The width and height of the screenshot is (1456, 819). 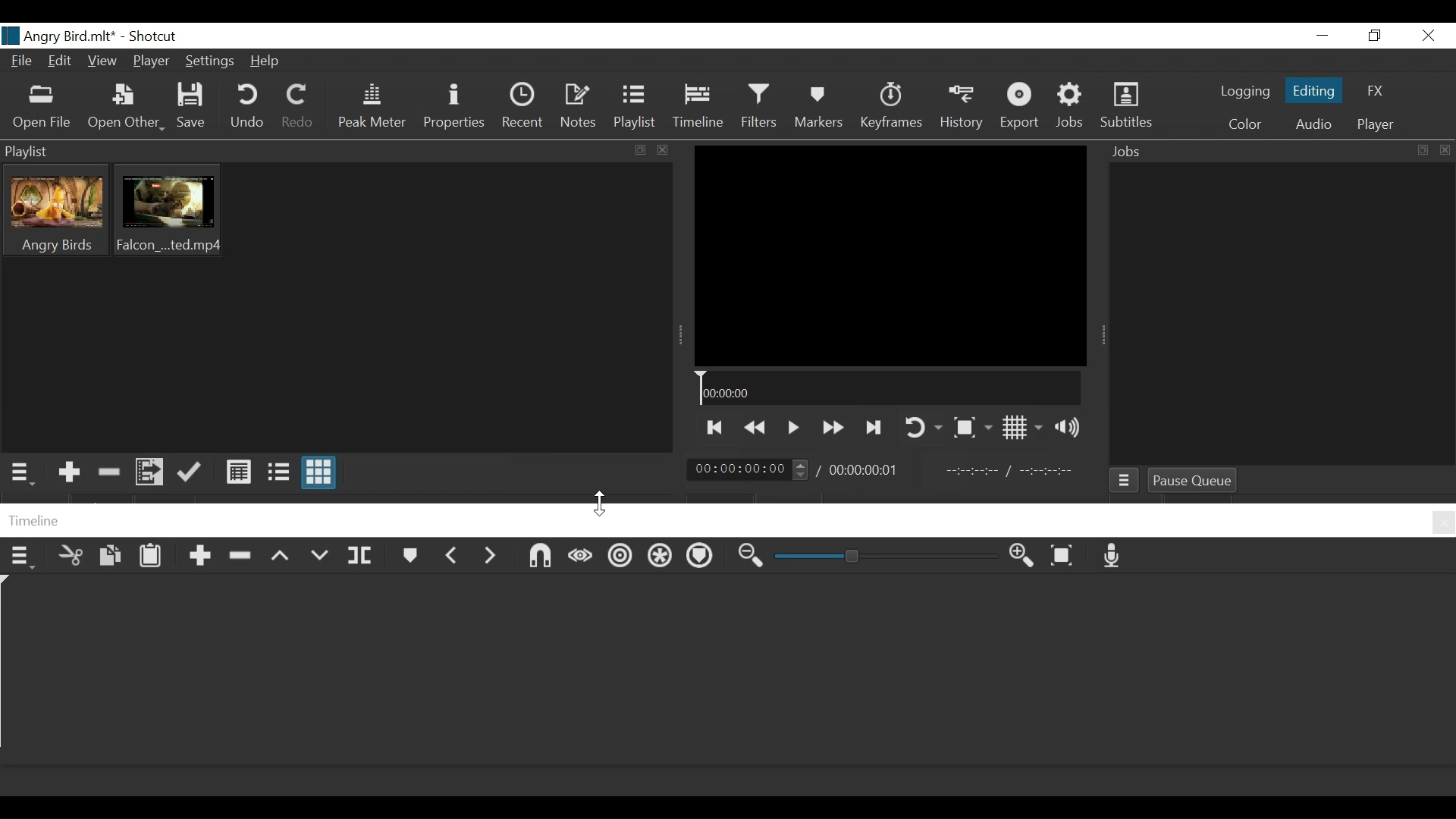 What do you see at coordinates (1312, 125) in the screenshot?
I see `Audio` at bounding box center [1312, 125].